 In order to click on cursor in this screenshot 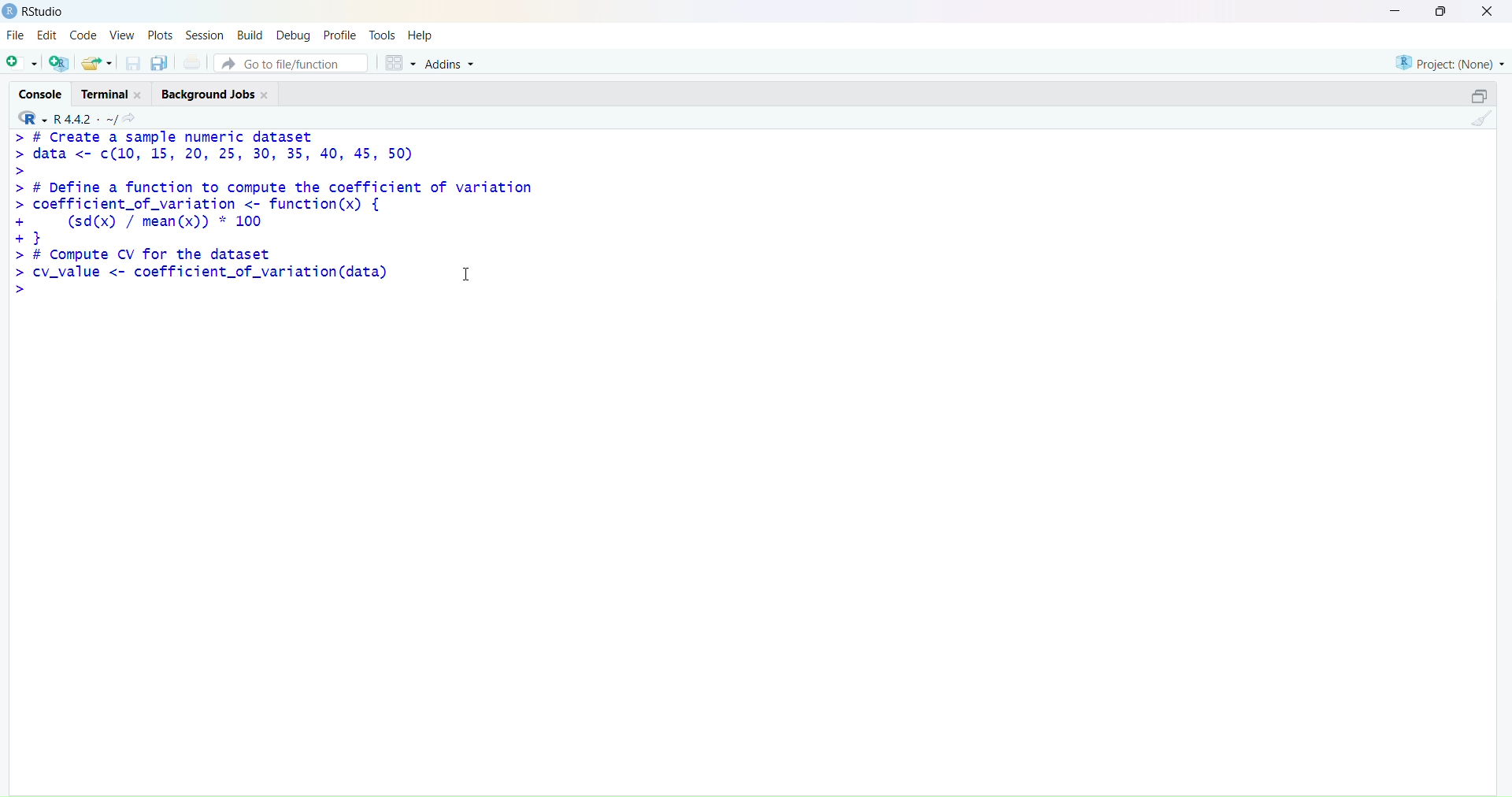, I will do `click(466, 273)`.